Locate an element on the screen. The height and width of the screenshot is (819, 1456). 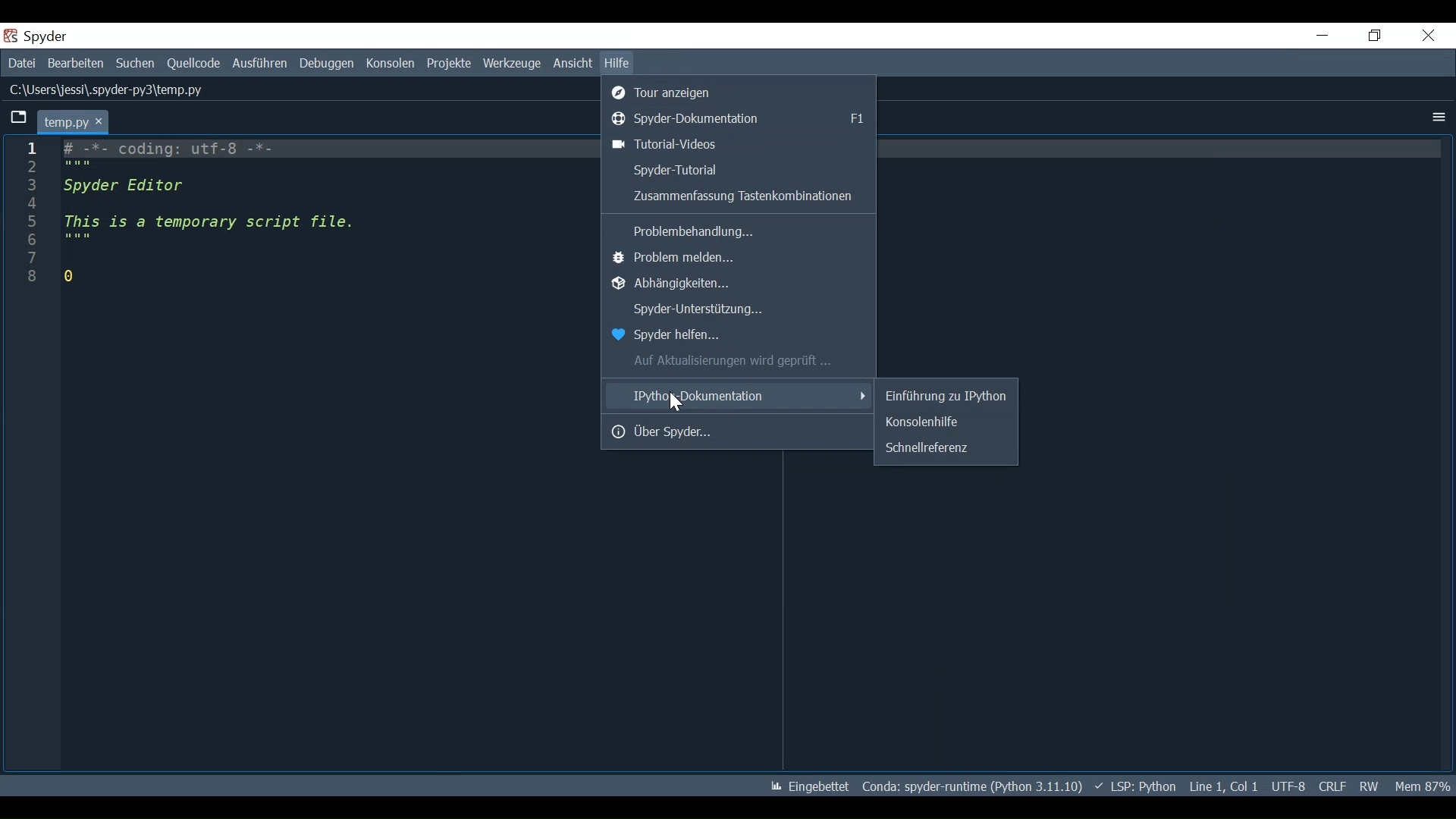
View is located at coordinates (571, 64).